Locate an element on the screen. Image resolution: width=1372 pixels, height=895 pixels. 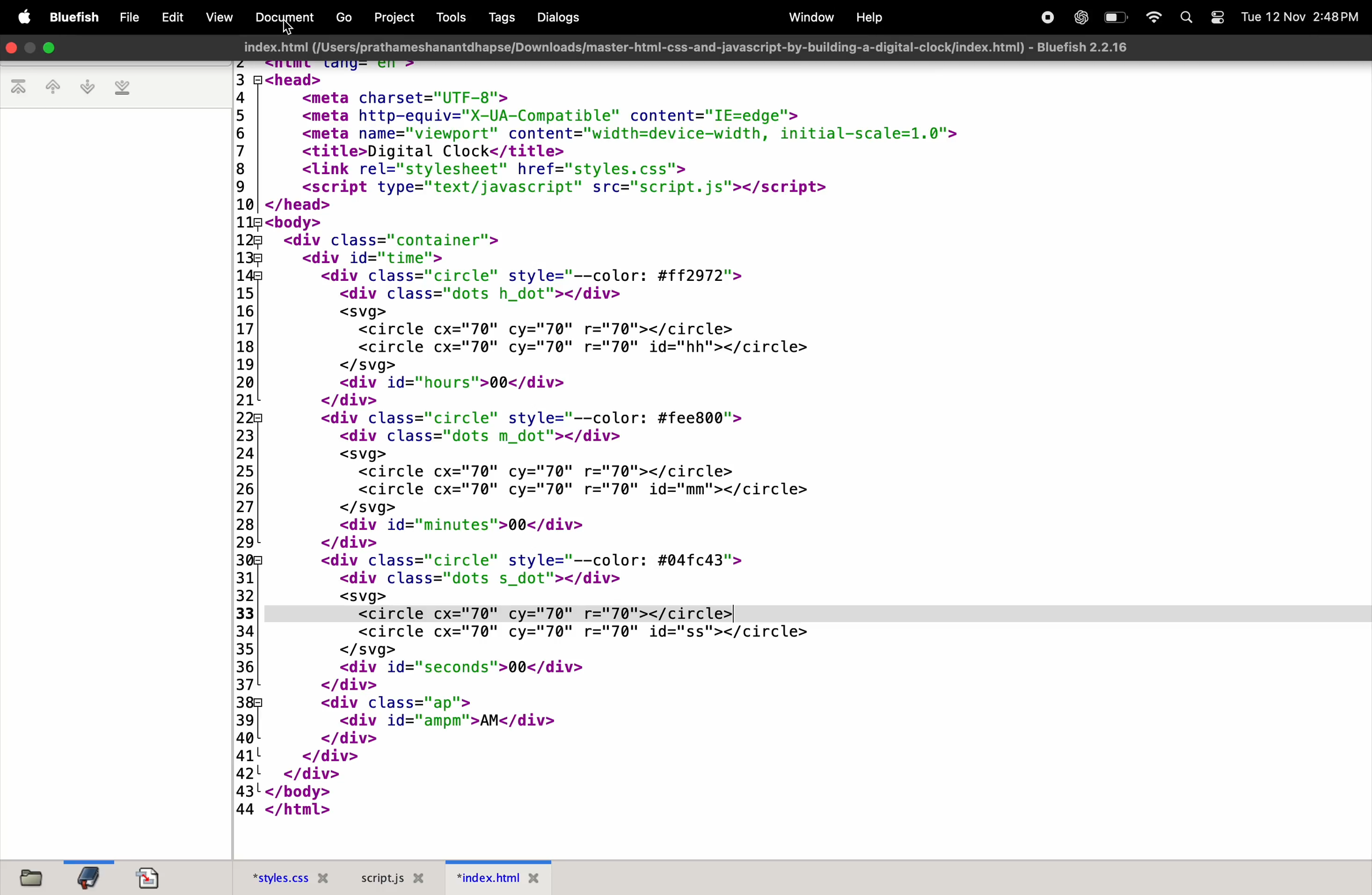
<html lang= en><head><meta charset="UTF-8"><meta http-equiv="X-UA-Compatible" content="IE=edge"><meta name="viewport" content="width=device-width, initial-scale=1.0"><title>Digital Clock</title><link rel="stylesheet" href="styles.css"><script type="text/javascript" src="script.js"></script></head><body><div class="container"><div id="time"><div class="circle" style="--color: #ff2972"><div class="dots h_dot"></div><svg><circle cx="70" cy="70" r="70"></circle><circle cx="70" cy="70" r="70" id="hh"></circle></svg><div id="hours">00</div></div><div class="circle" style="--color: #fee800"><div class="dots m_dot"></div><svg><circle cx="70" cy="70" r="70"></circle><circle cx="70" cy="70" r="70" id="mm"></circle></svg><div id="minutes">00</div></div><div class="circle" style="--color: #04fc43"><div class="dots s_dot"></div><svg><circle cx="70" cy="70" r="70"></circle>|<circle cx="70" cy="70" r="70" id="ss"></circle></svg><div id="seconds">00</div></div><div class="ap"><div id="ampm">AM</div></div></div></div></body></html> is located at coordinates (798, 453).